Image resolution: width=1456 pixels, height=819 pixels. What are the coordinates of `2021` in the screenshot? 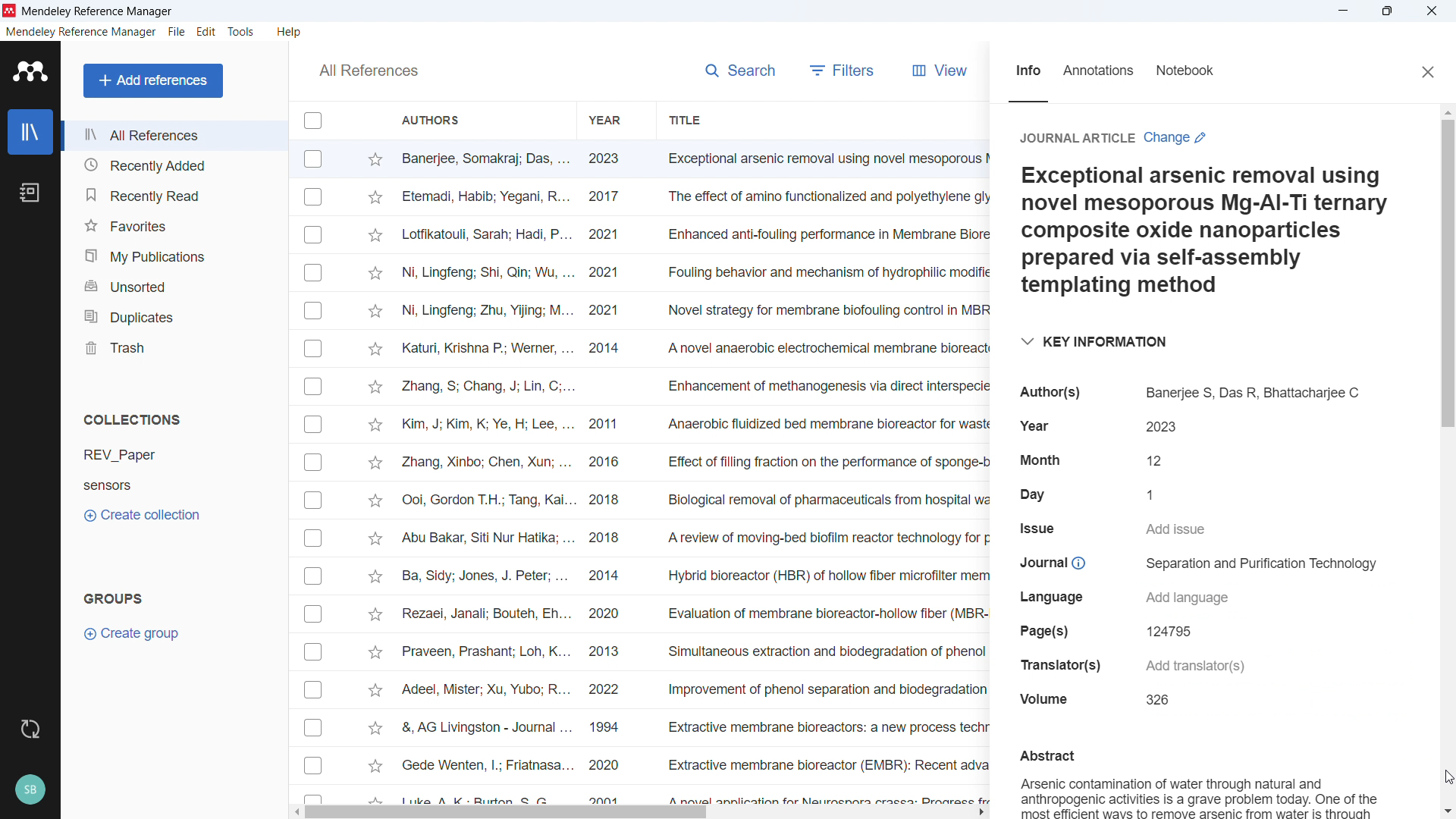 It's located at (611, 233).